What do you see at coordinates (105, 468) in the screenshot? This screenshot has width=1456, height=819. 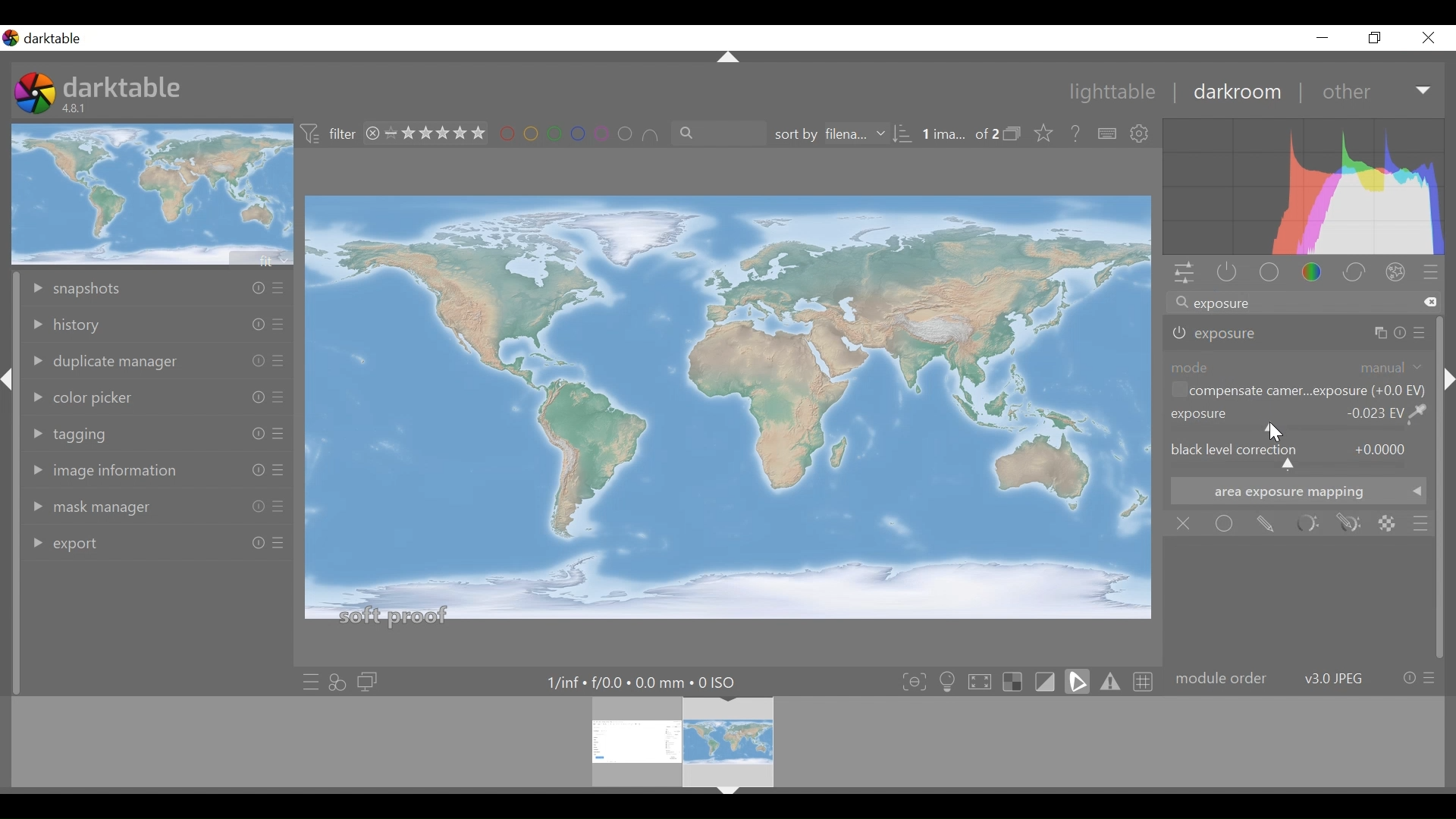 I see `image information` at bounding box center [105, 468].